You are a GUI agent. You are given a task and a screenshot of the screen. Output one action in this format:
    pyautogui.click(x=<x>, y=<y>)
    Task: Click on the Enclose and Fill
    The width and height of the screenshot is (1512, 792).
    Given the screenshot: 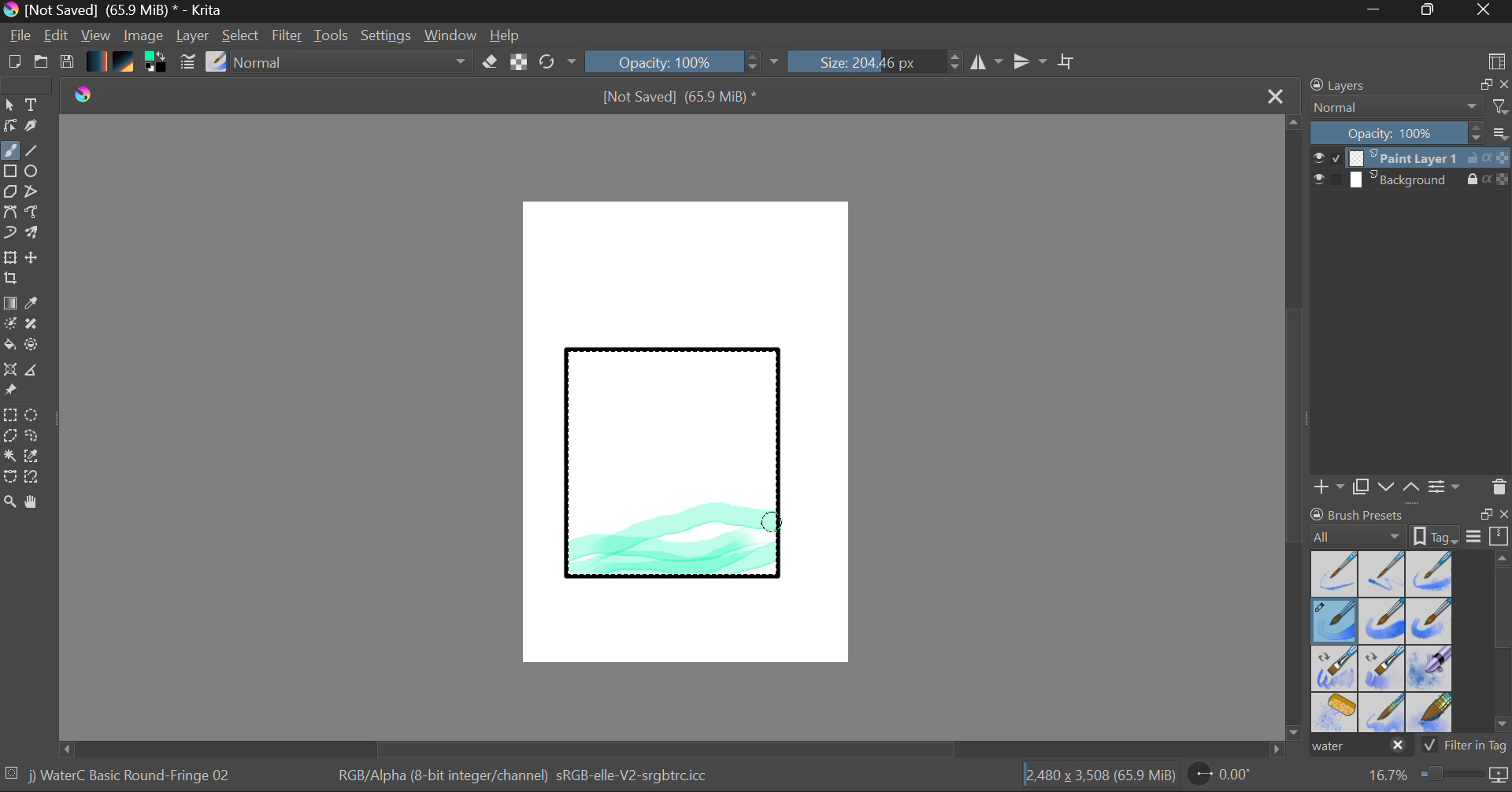 What is the action you would take?
    pyautogui.click(x=35, y=346)
    